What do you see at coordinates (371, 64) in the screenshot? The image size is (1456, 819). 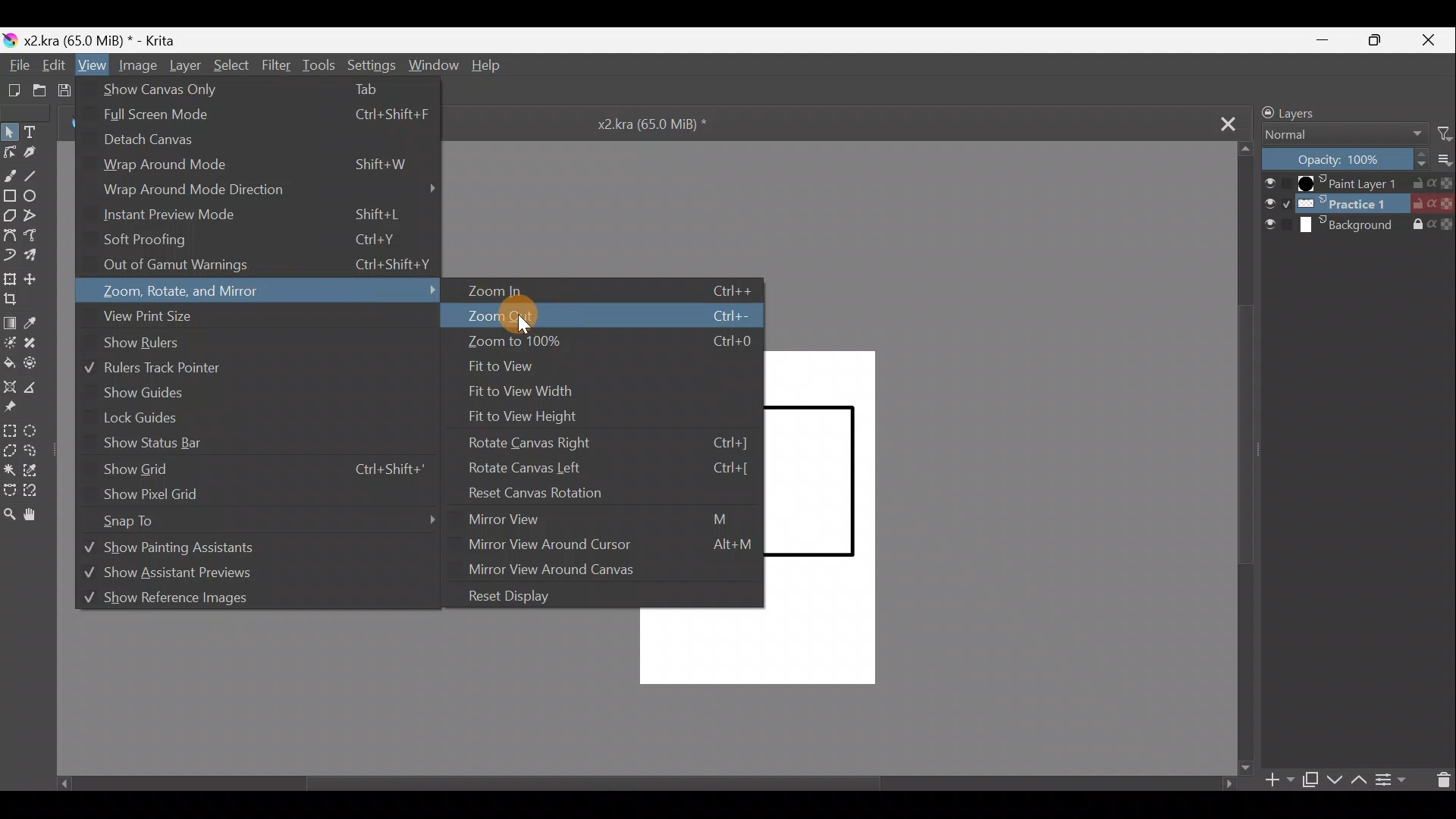 I see `Settings` at bounding box center [371, 64].